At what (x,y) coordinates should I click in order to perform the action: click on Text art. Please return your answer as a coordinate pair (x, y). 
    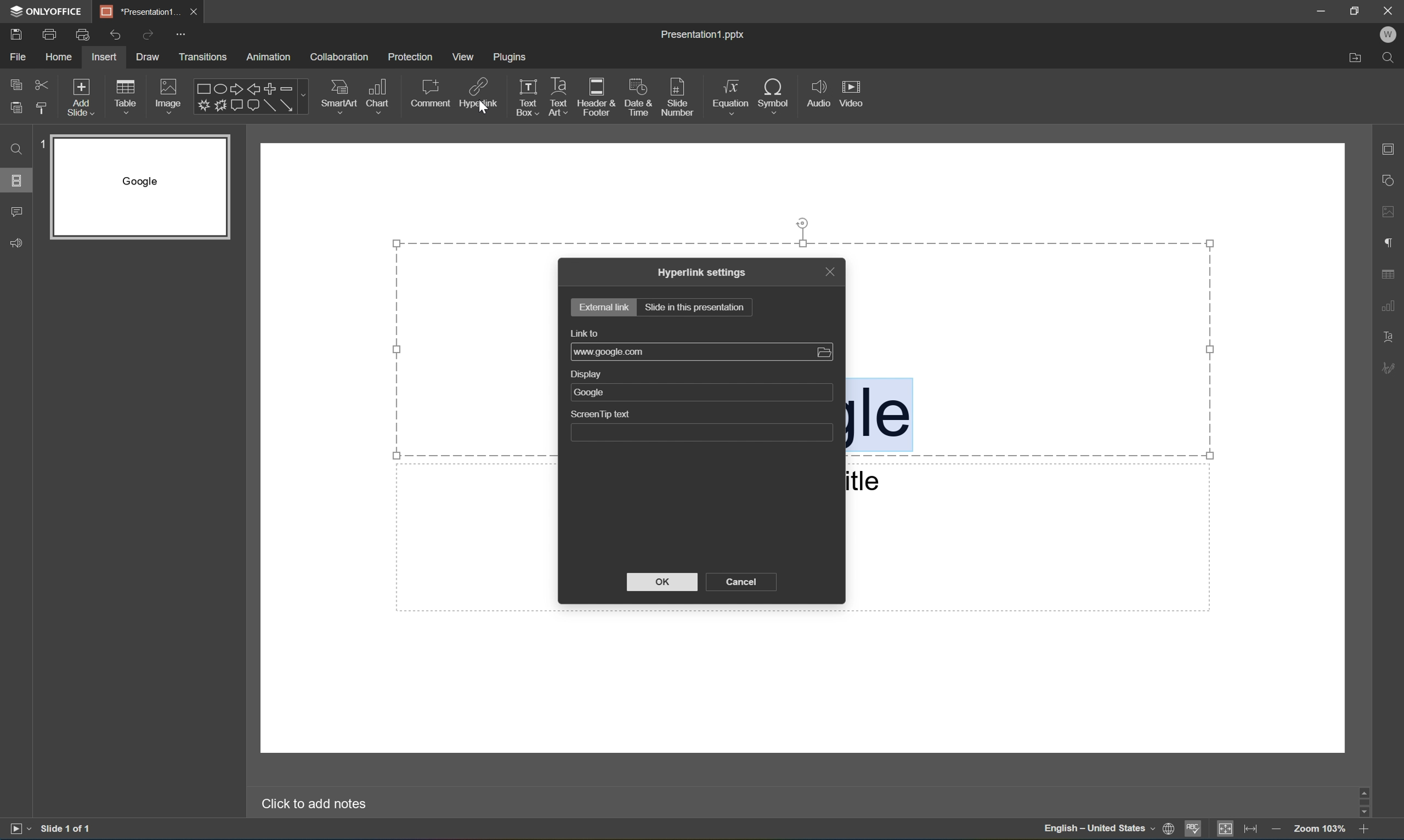
    Looking at the image, I should click on (559, 94).